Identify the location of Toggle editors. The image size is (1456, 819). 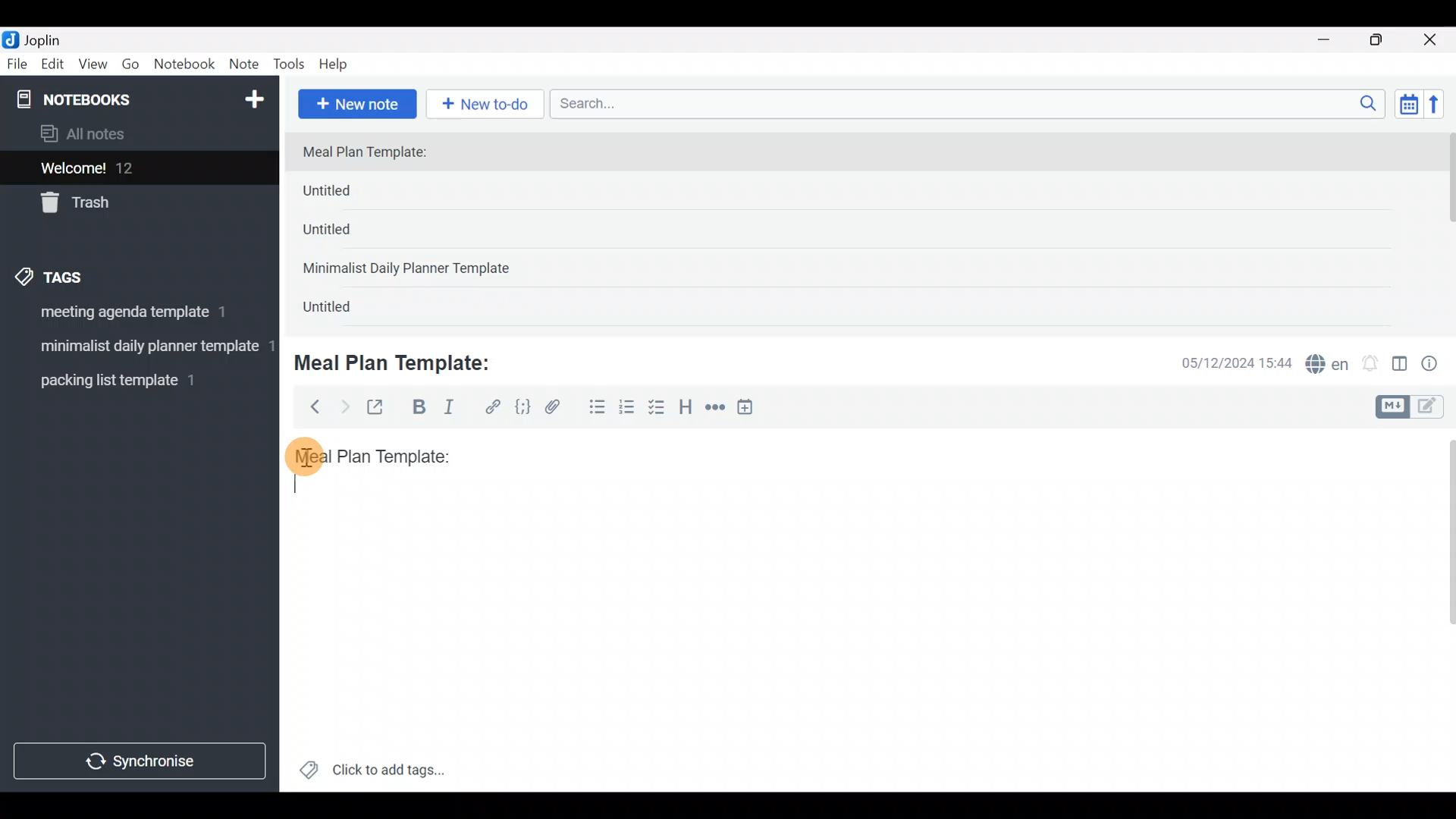
(1414, 405).